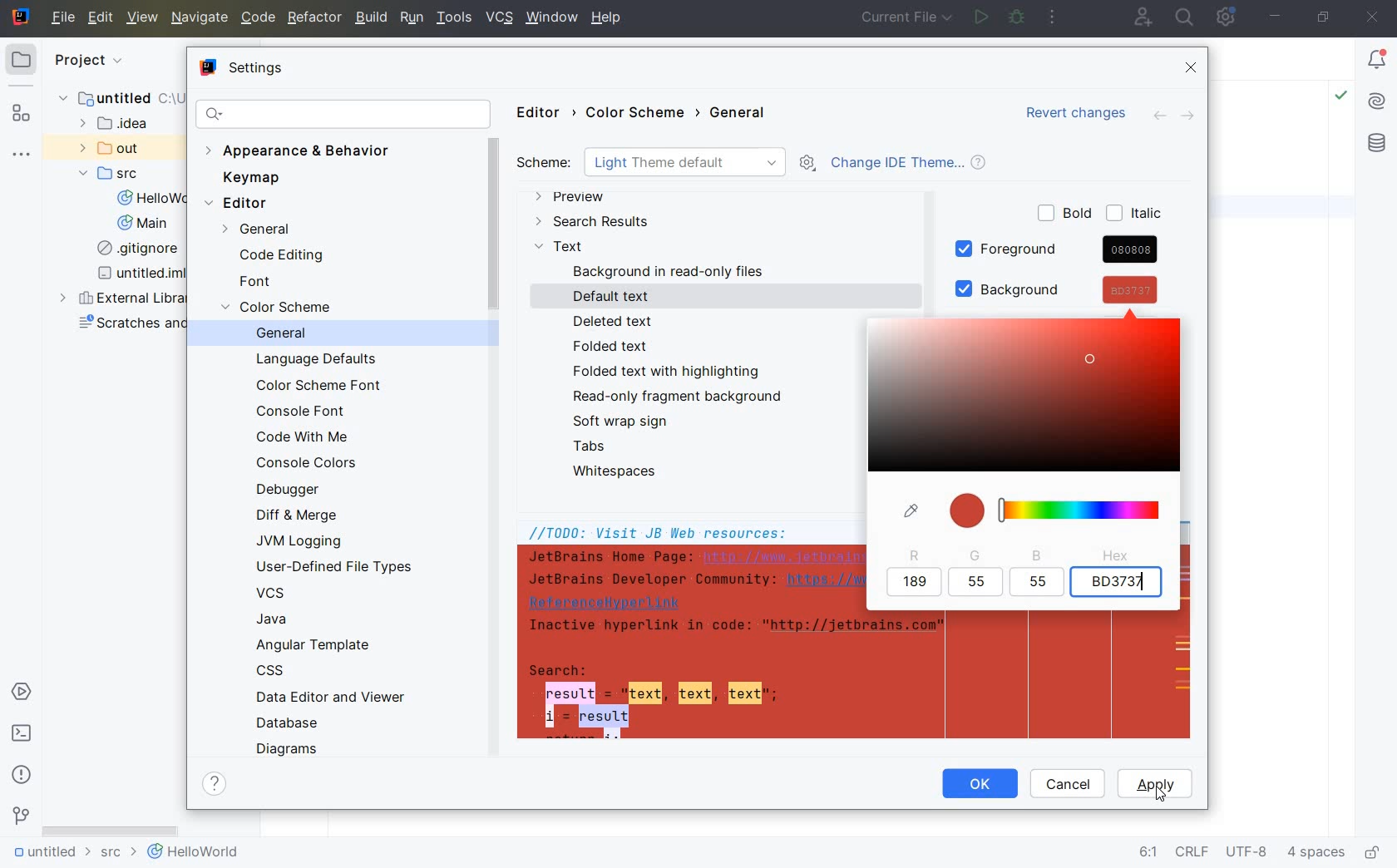 This screenshot has width=1397, height=868. Describe the element at coordinates (412, 18) in the screenshot. I see `RUN` at that location.